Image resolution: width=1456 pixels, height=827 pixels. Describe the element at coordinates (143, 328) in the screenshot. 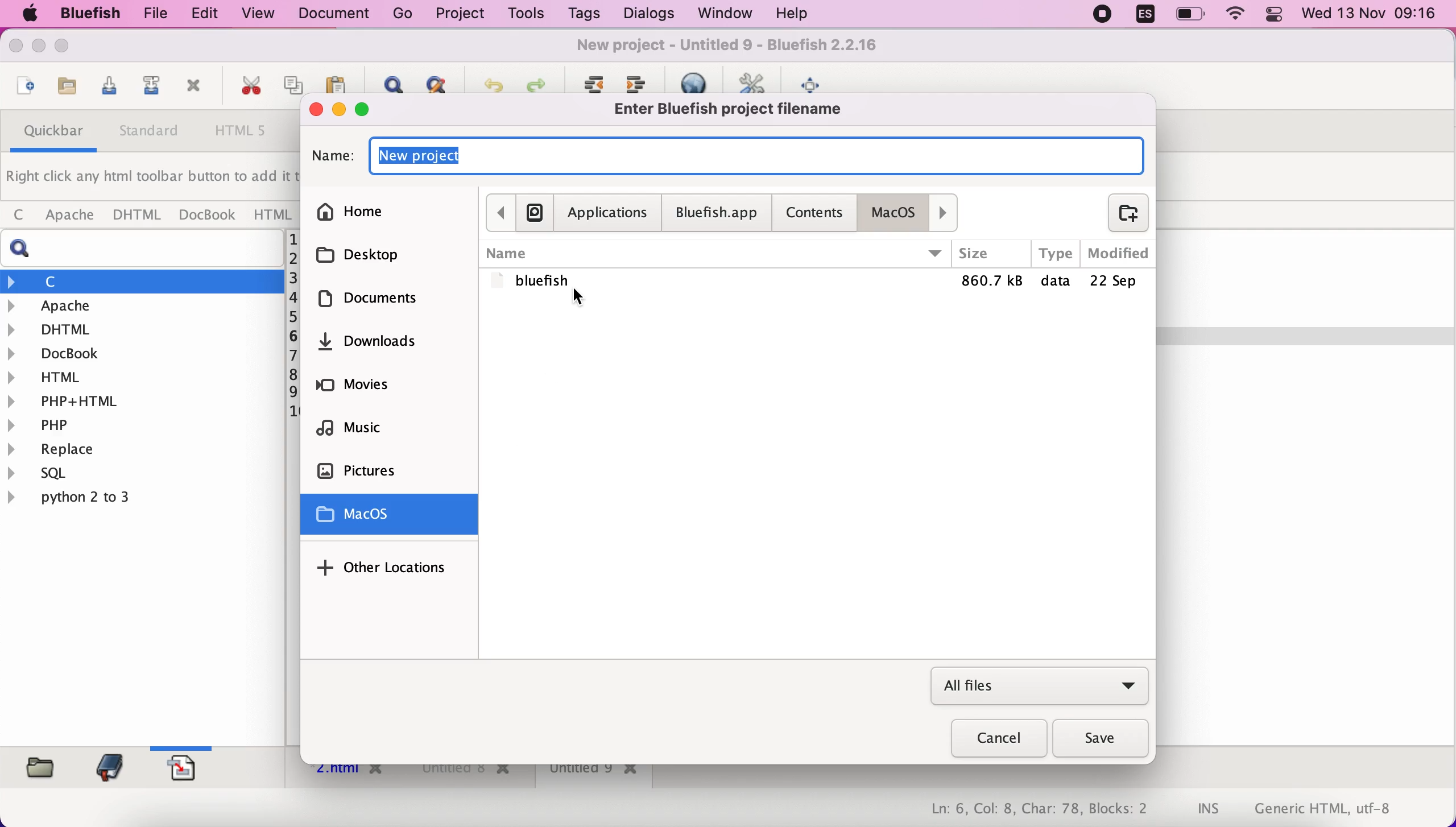

I see `dhtml` at that location.